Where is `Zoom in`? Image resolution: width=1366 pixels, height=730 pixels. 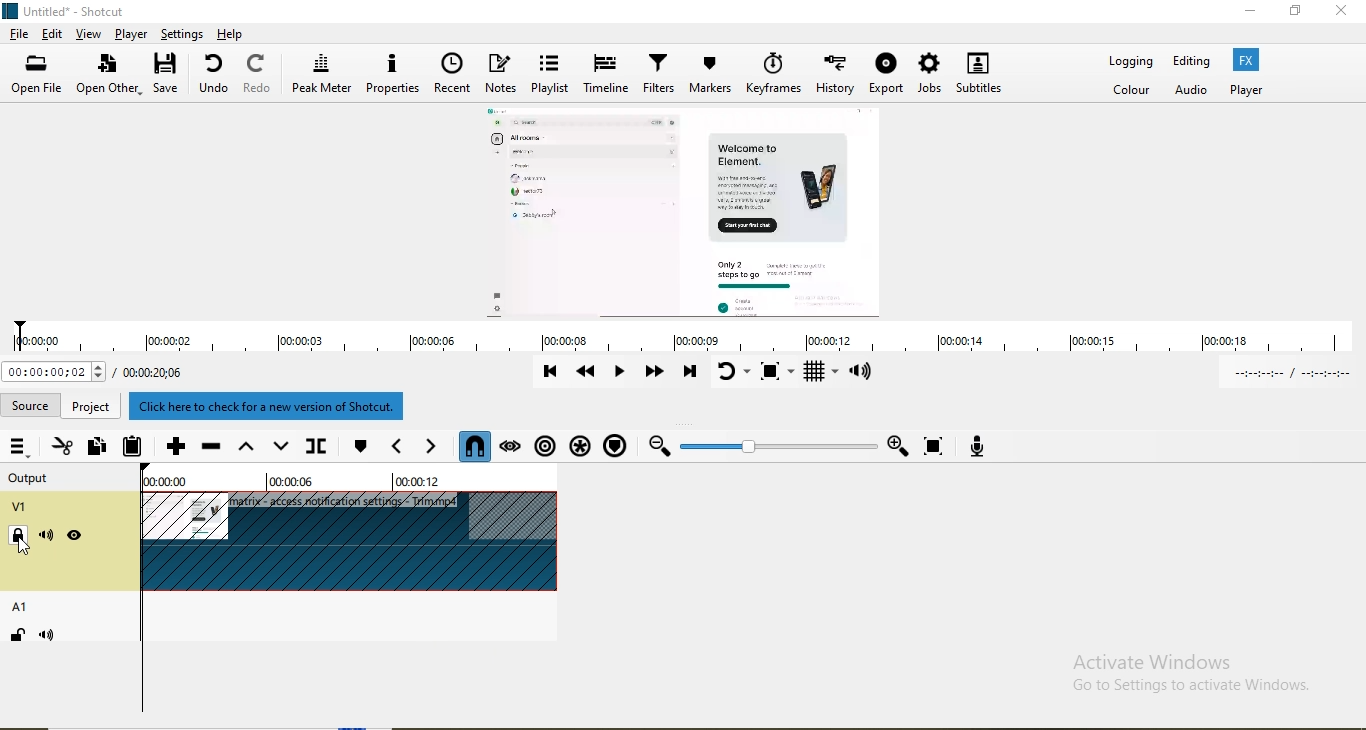
Zoom in is located at coordinates (896, 446).